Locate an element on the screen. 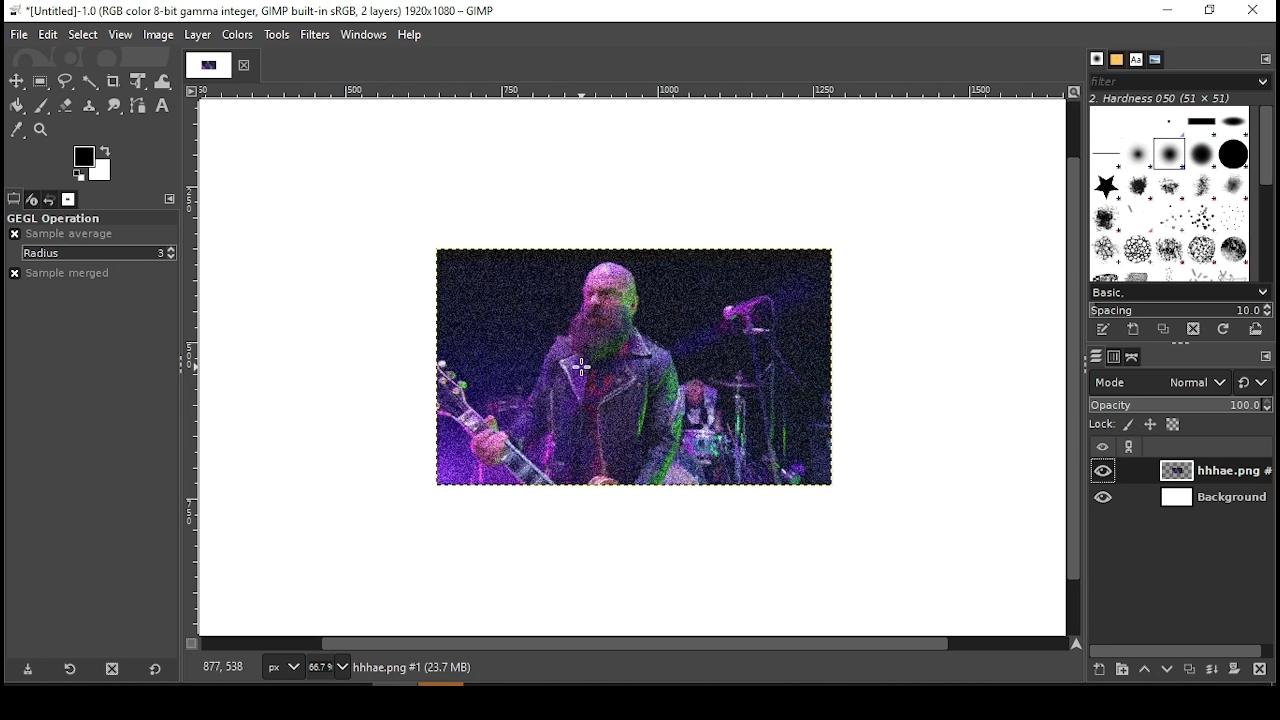  scroll bar is located at coordinates (1179, 648).